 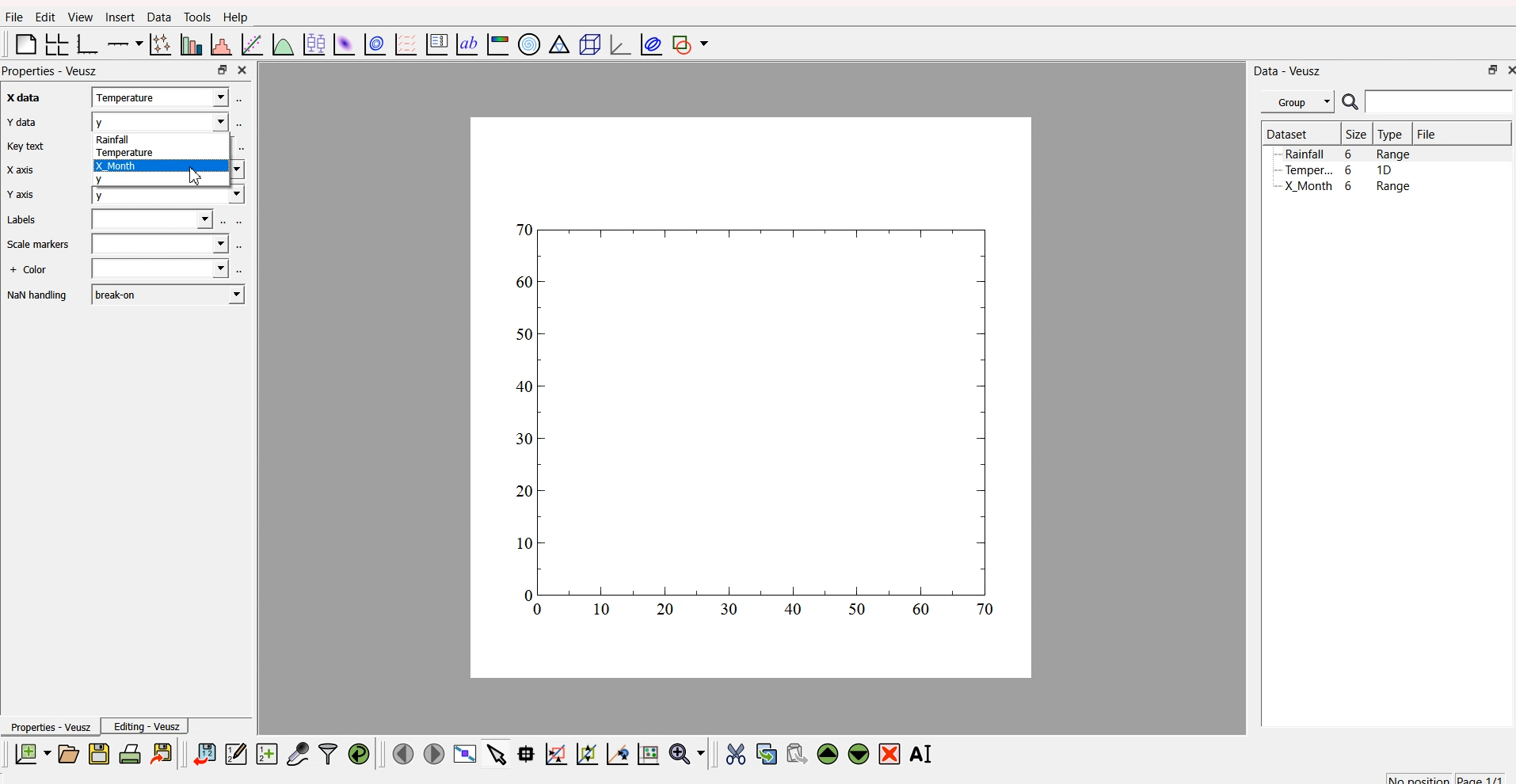 I want to click on X axis, so click(x=22, y=170).